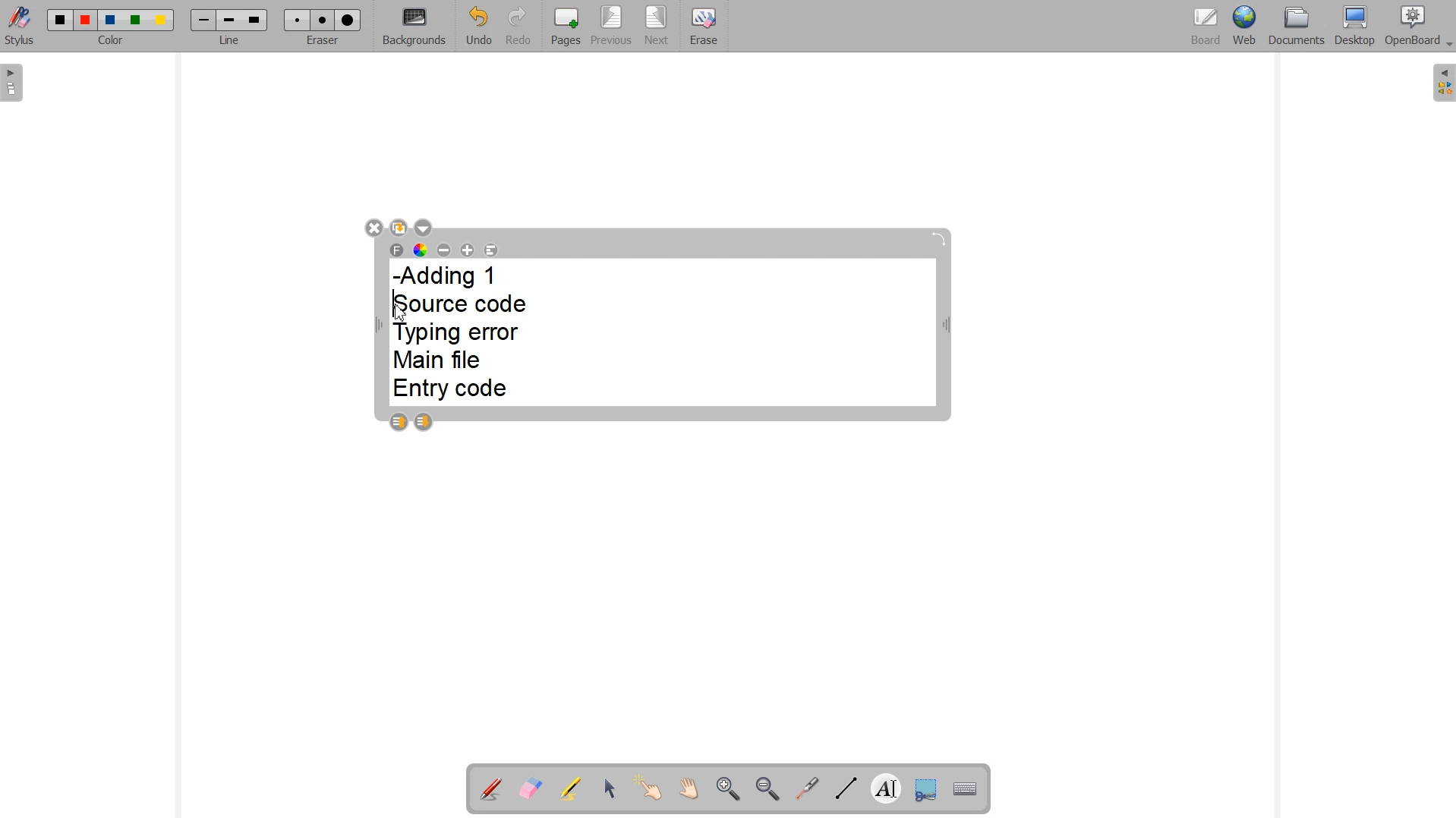  Describe the element at coordinates (1297, 27) in the screenshot. I see `Documents` at that location.